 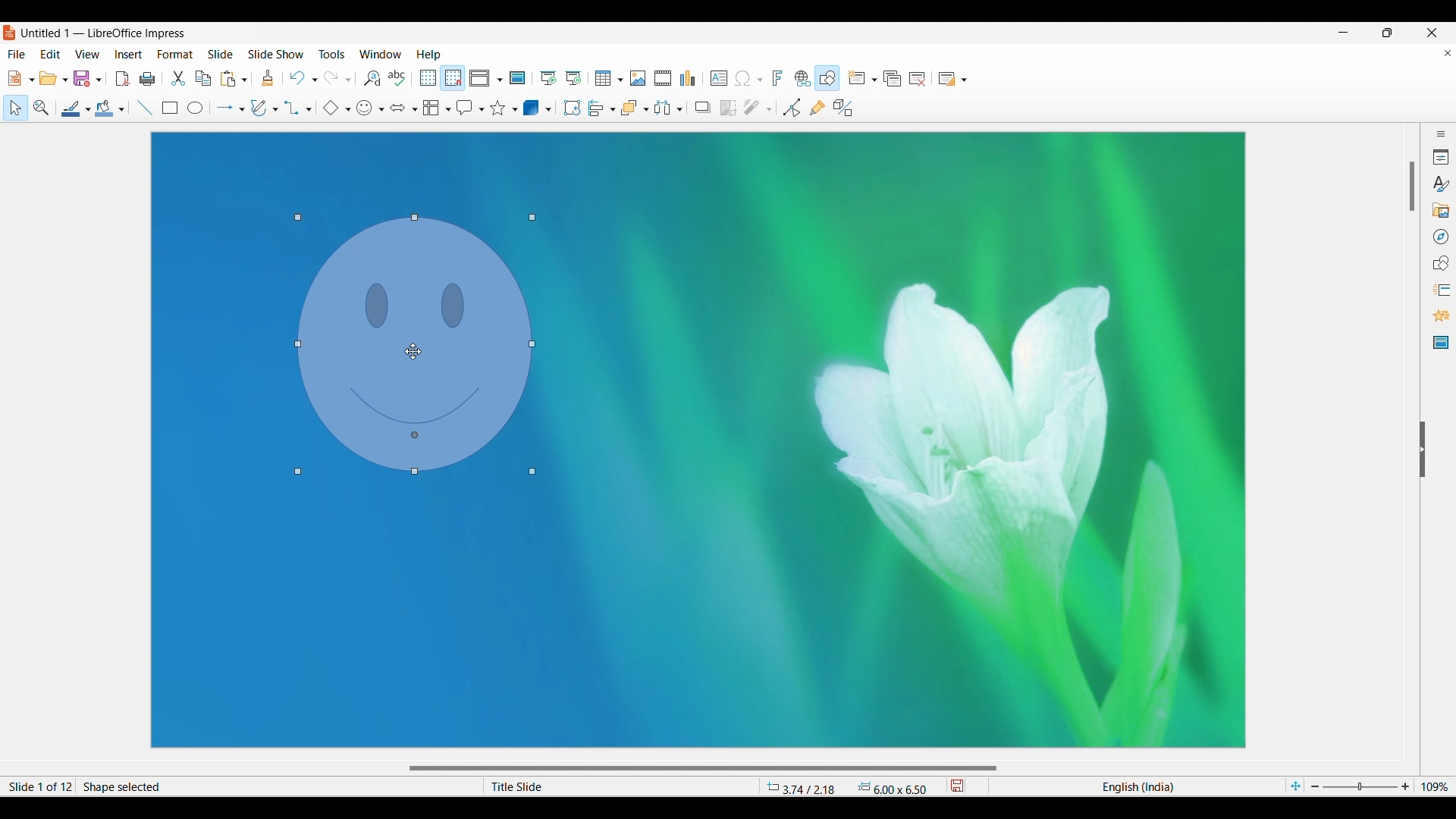 I want to click on Rectangle, so click(x=170, y=108).